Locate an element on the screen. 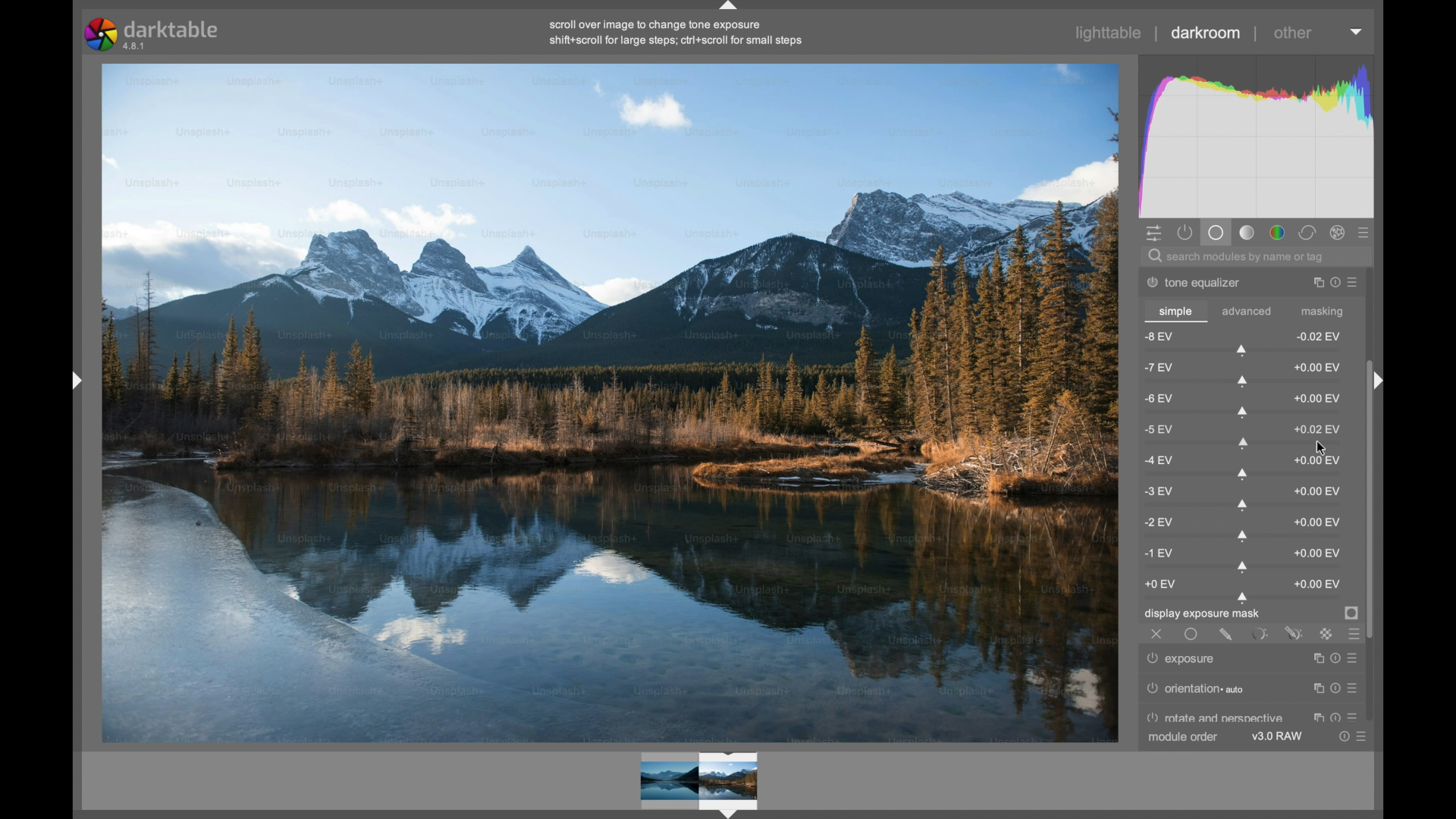  -2 ev is located at coordinates (1158, 522).